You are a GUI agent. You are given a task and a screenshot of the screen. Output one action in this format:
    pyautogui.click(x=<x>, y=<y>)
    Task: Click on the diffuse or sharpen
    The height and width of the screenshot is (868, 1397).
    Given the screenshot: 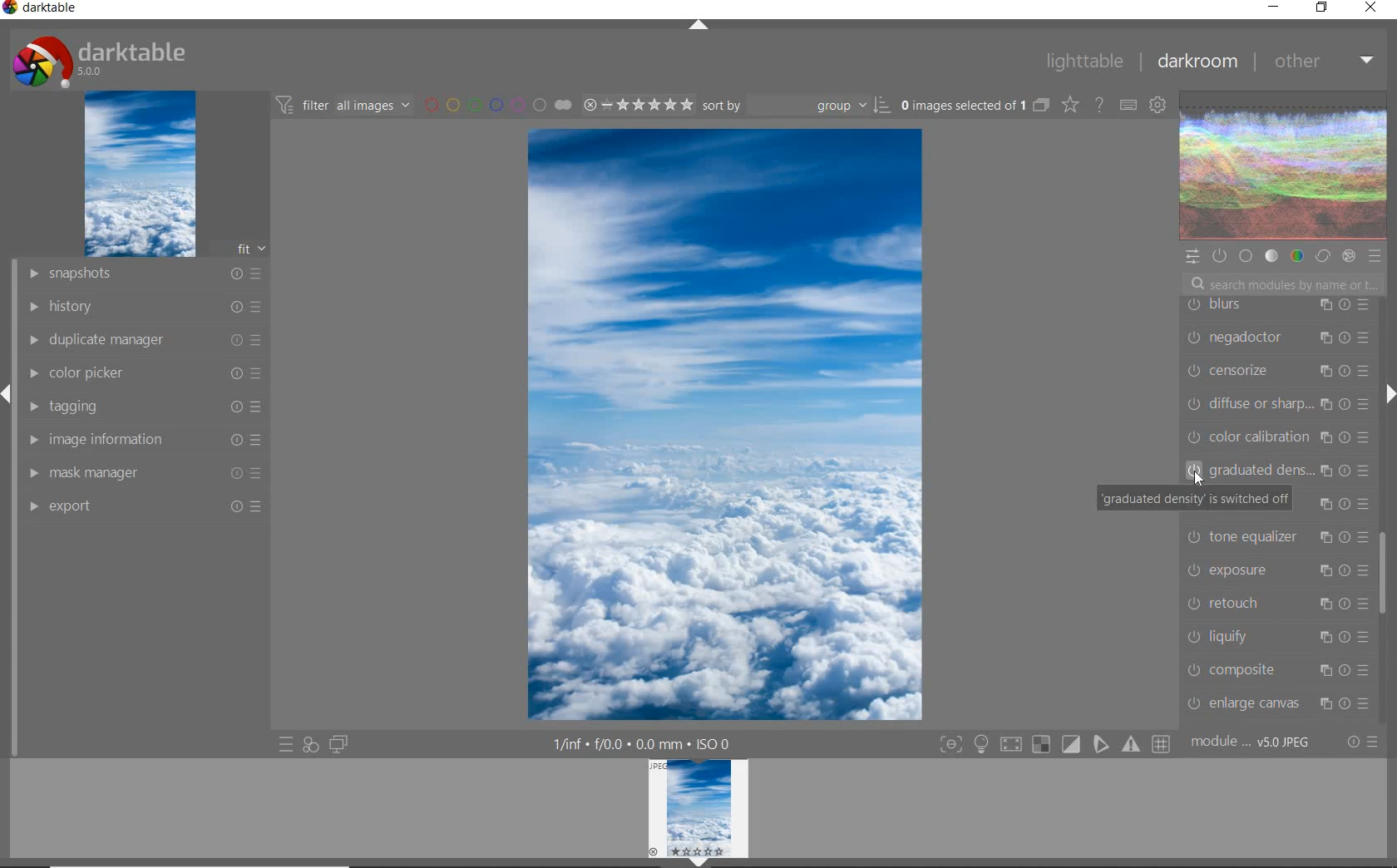 What is the action you would take?
    pyautogui.click(x=1277, y=404)
    